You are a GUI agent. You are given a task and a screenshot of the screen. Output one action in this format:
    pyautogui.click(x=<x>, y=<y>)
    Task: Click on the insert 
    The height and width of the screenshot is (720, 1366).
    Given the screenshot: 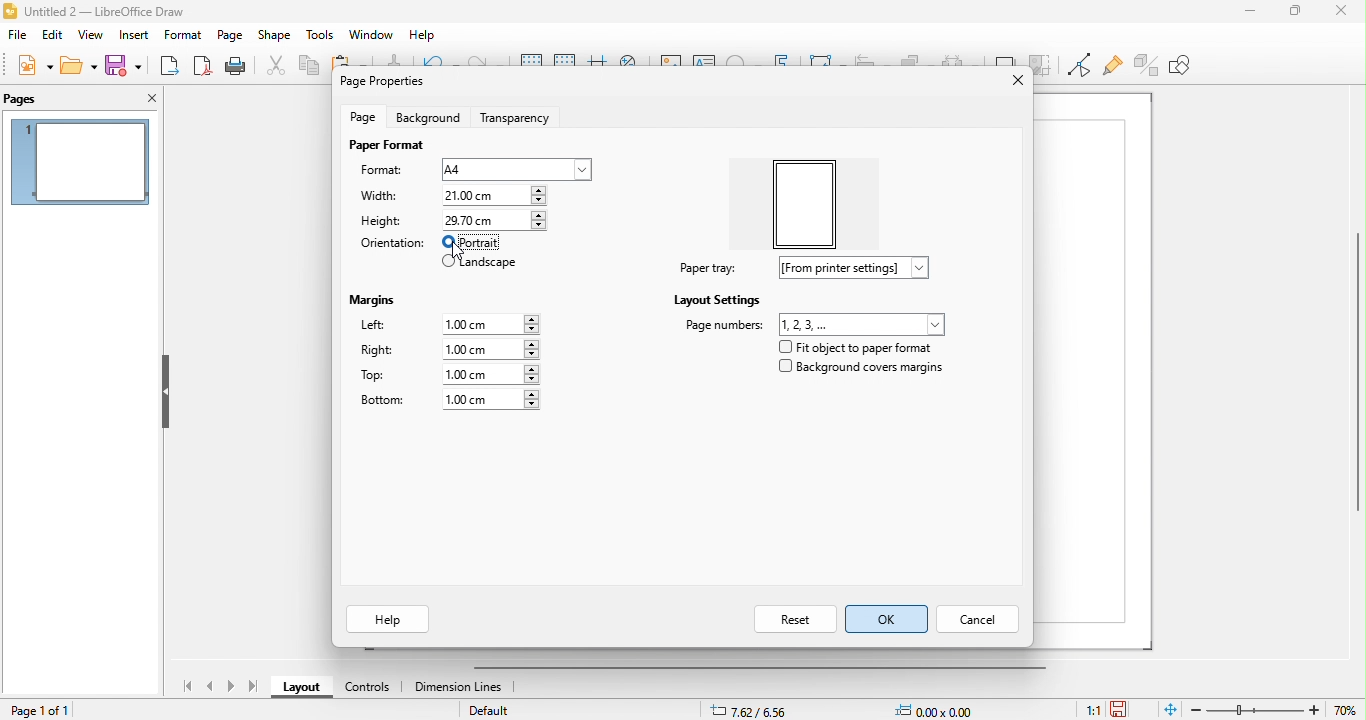 What is the action you would take?
    pyautogui.click(x=133, y=35)
    